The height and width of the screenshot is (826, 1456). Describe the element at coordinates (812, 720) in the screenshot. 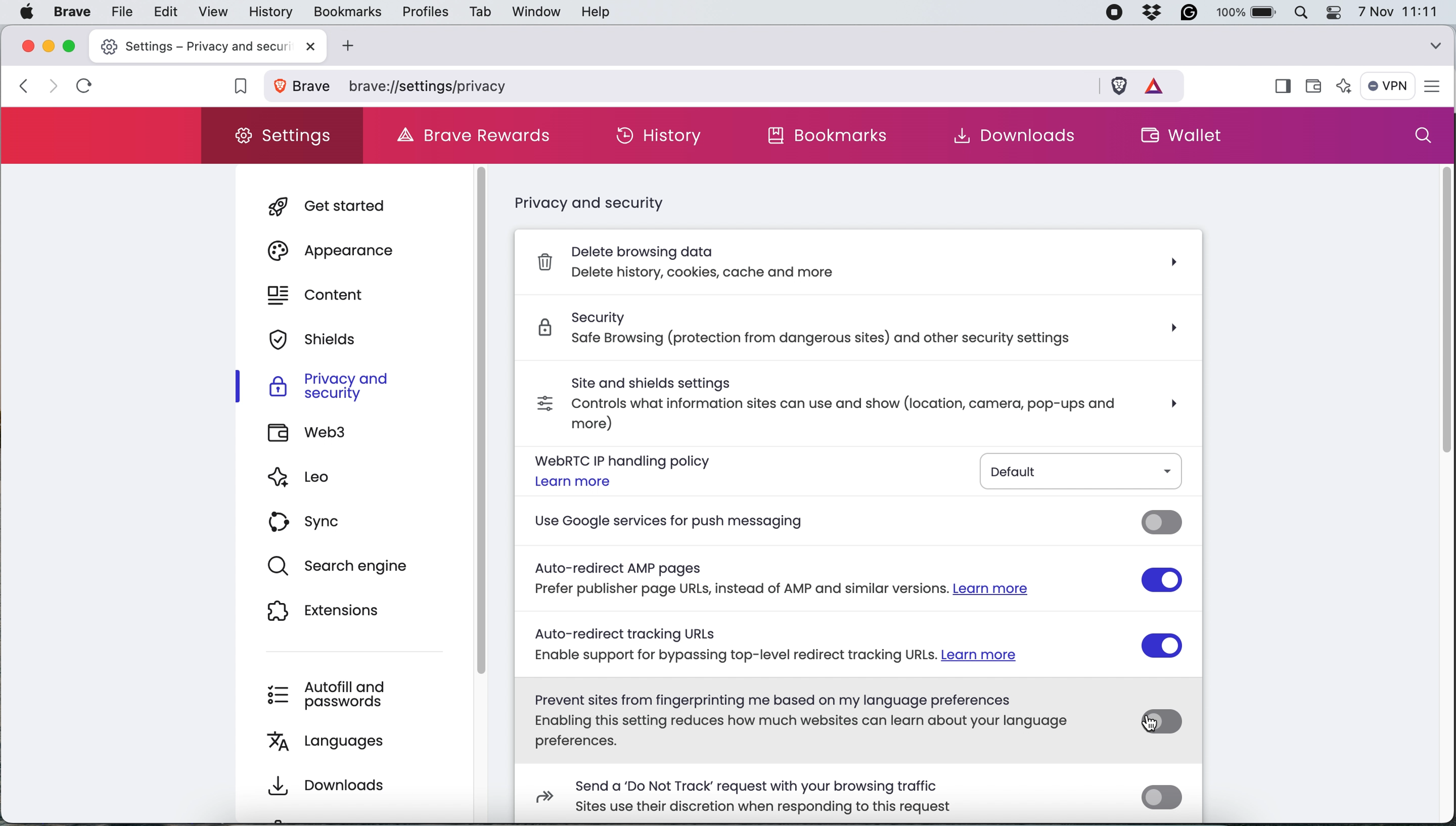

I see `Prevent sites from fingerprinting me based on my language preferences Enabling this setting reduces how much websites can learn about your language preferences.` at that location.